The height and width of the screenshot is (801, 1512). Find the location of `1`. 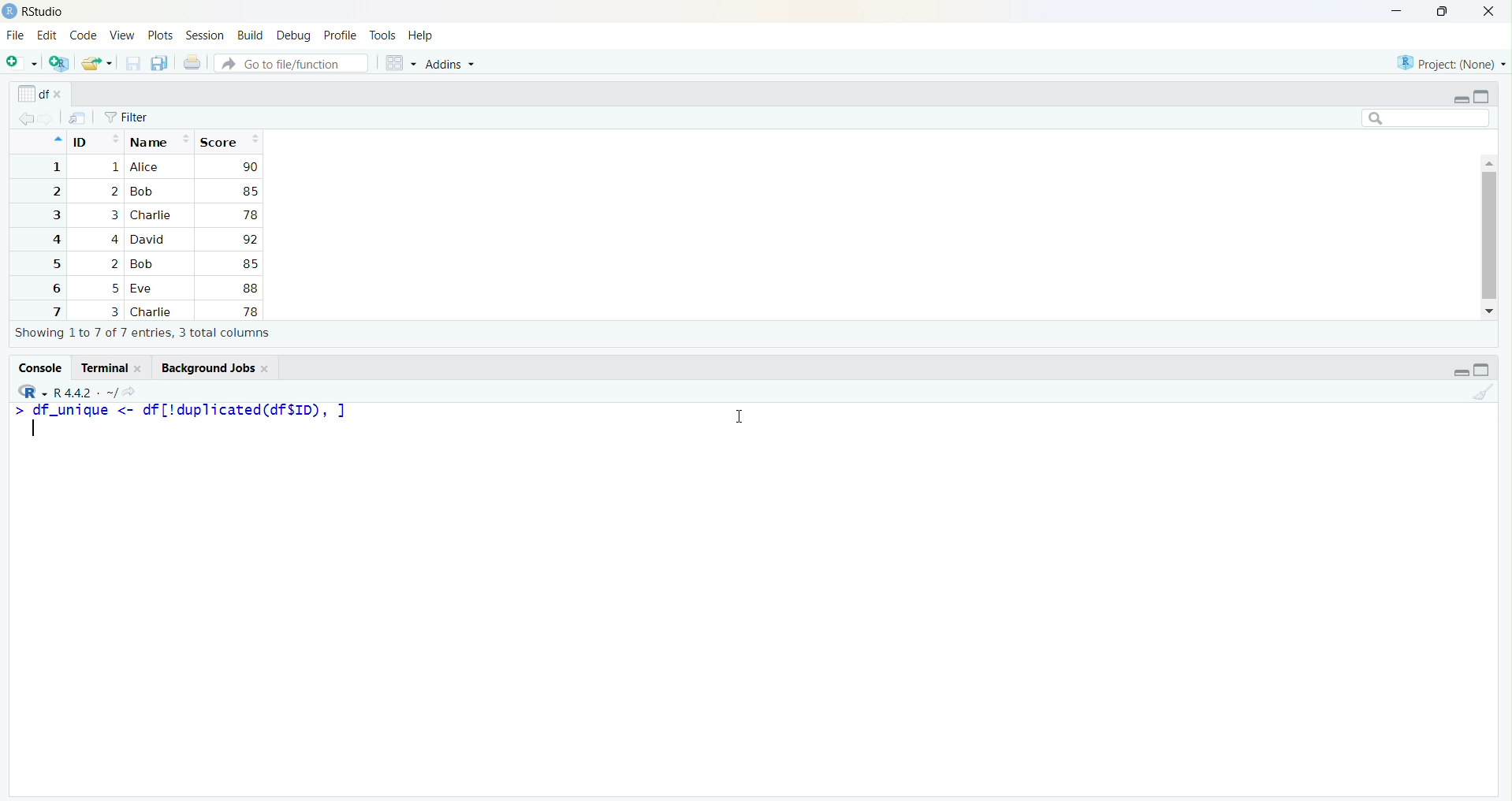

1 is located at coordinates (54, 167).